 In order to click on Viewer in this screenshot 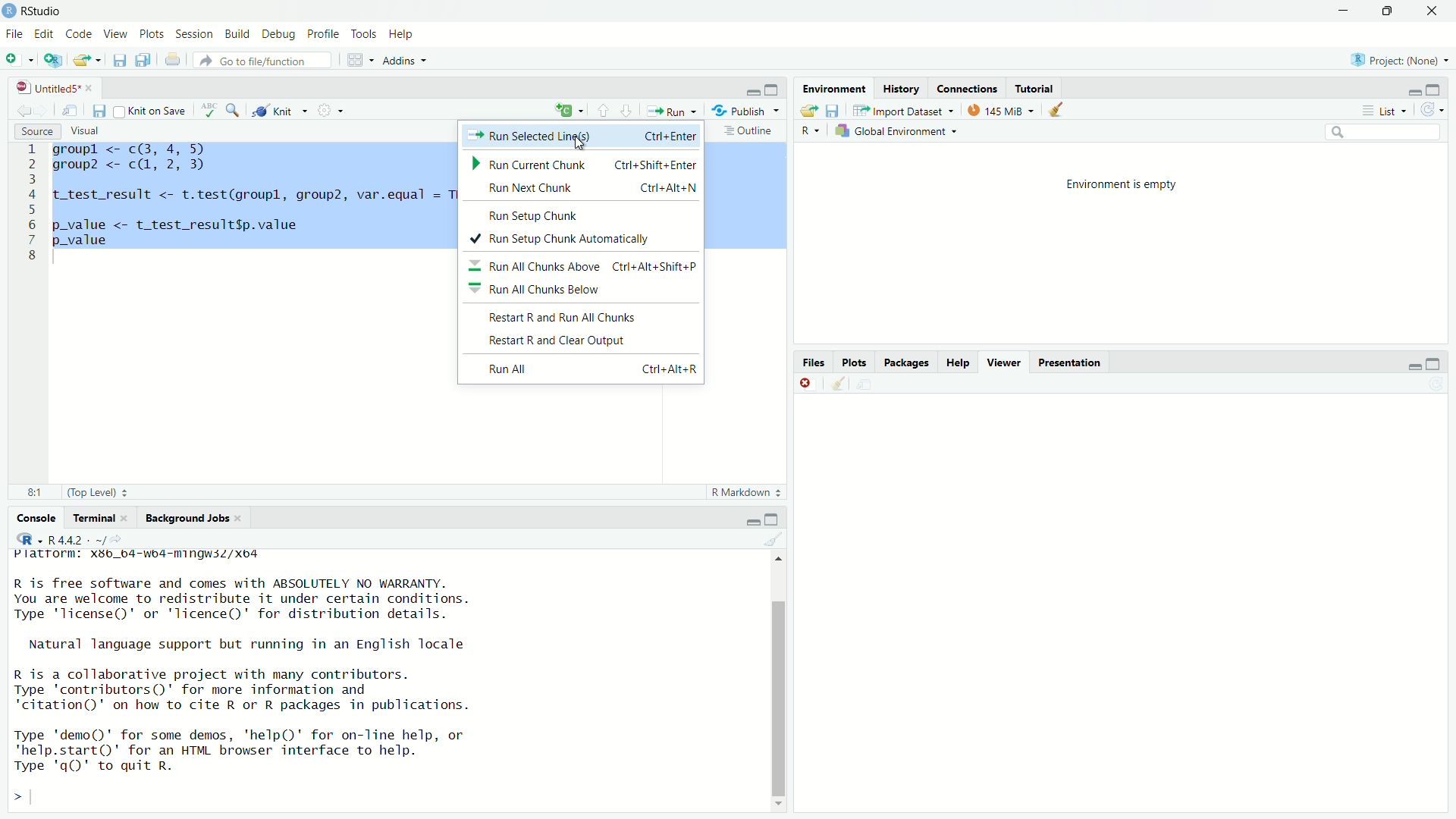, I will do `click(1003, 362)`.